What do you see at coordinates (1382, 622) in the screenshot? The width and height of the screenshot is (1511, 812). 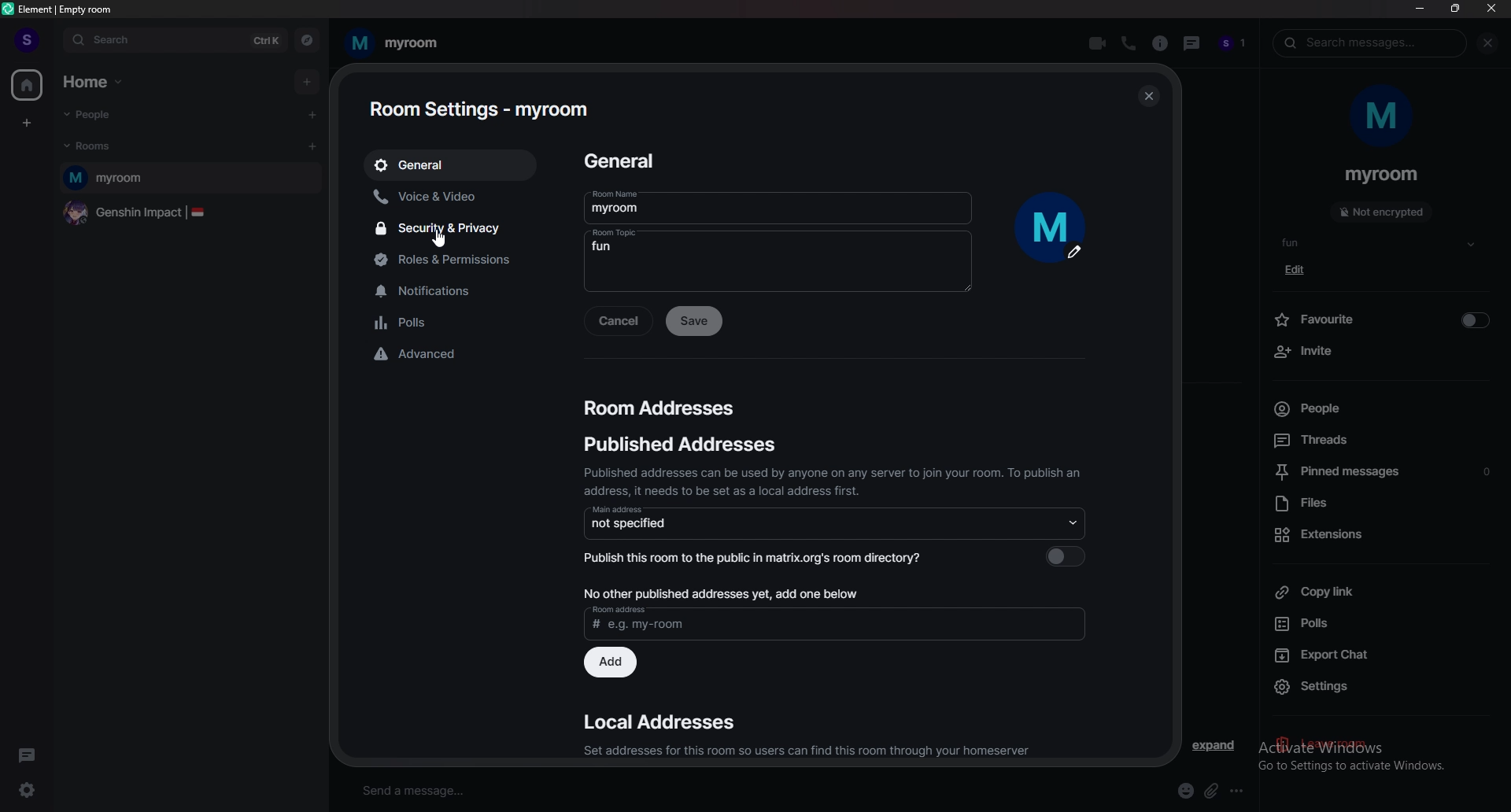 I see `polls` at bounding box center [1382, 622].